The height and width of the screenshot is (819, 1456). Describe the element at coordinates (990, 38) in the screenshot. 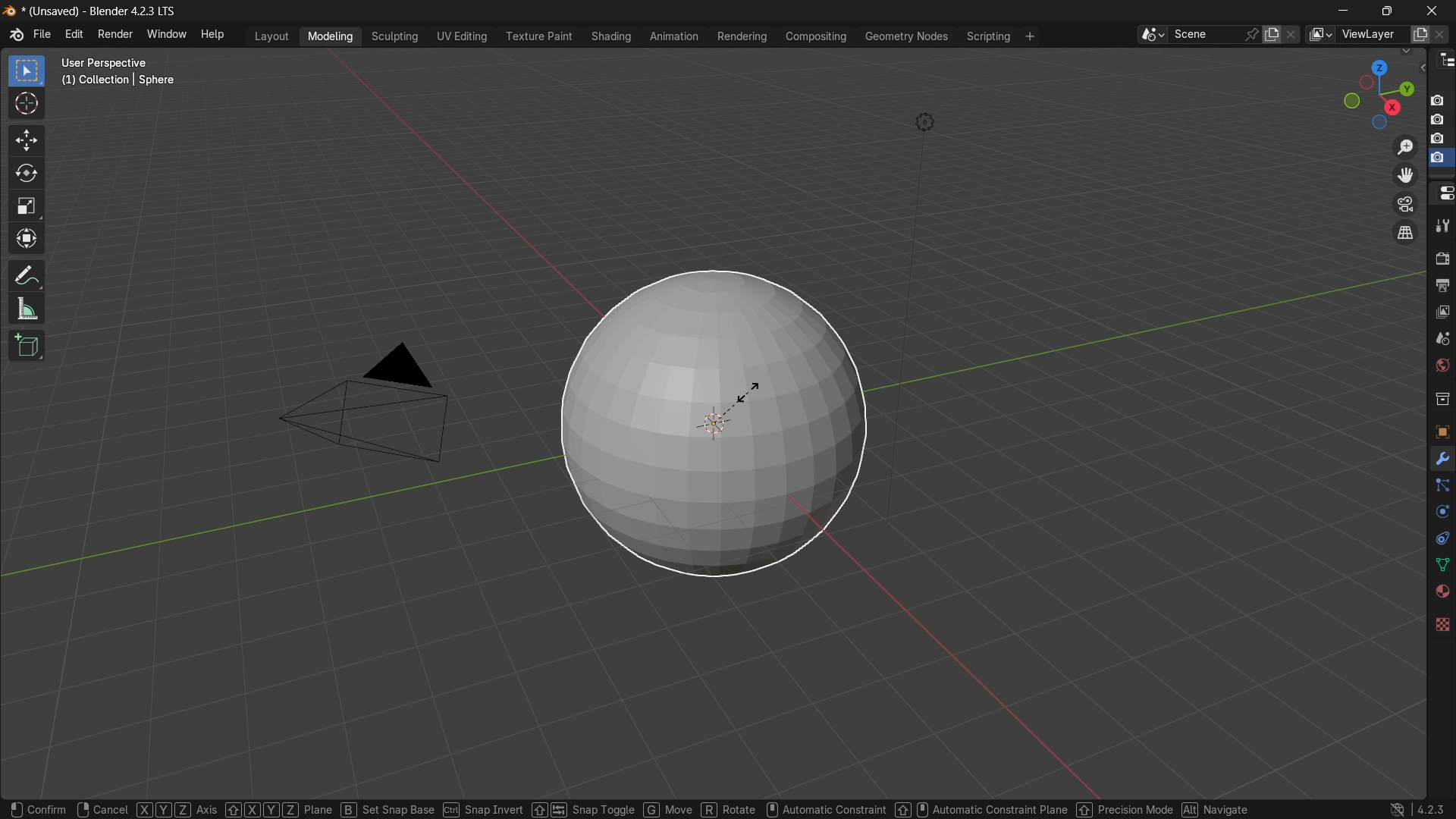

I see `scripting menu` at that location.